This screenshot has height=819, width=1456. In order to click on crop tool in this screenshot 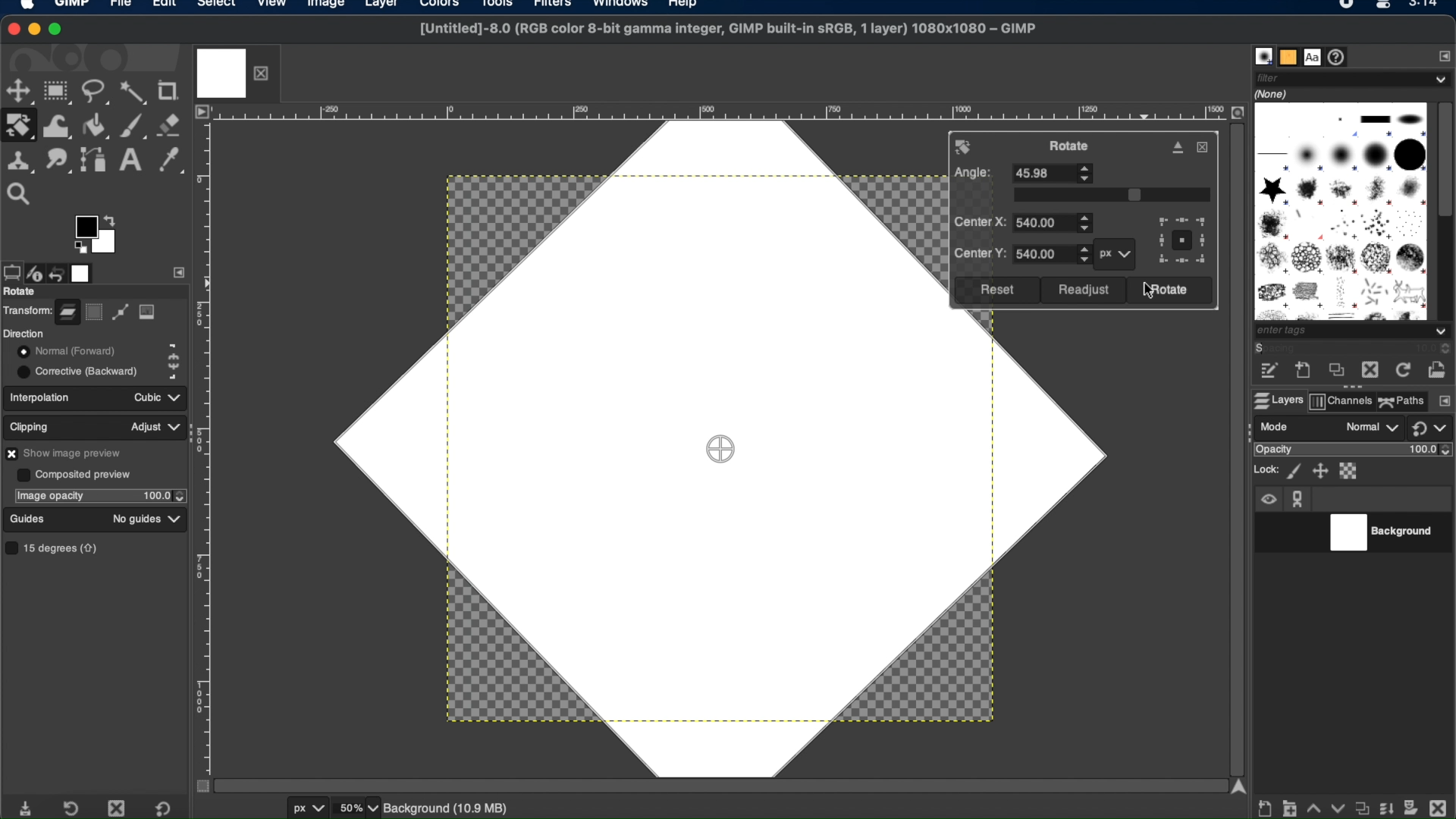, I will do `click(171, 90)`.